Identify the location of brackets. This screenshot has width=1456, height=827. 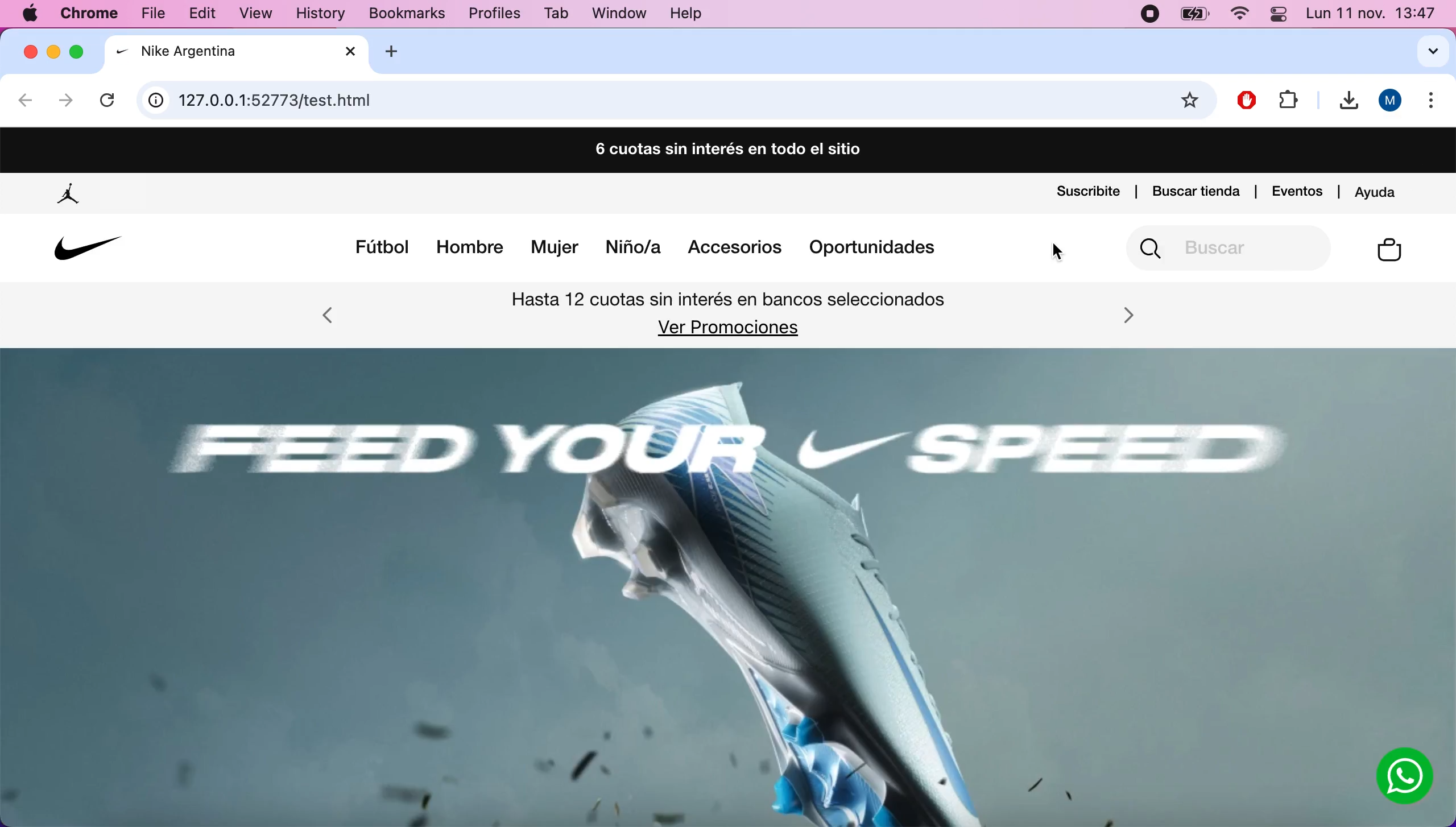
(93, 15).